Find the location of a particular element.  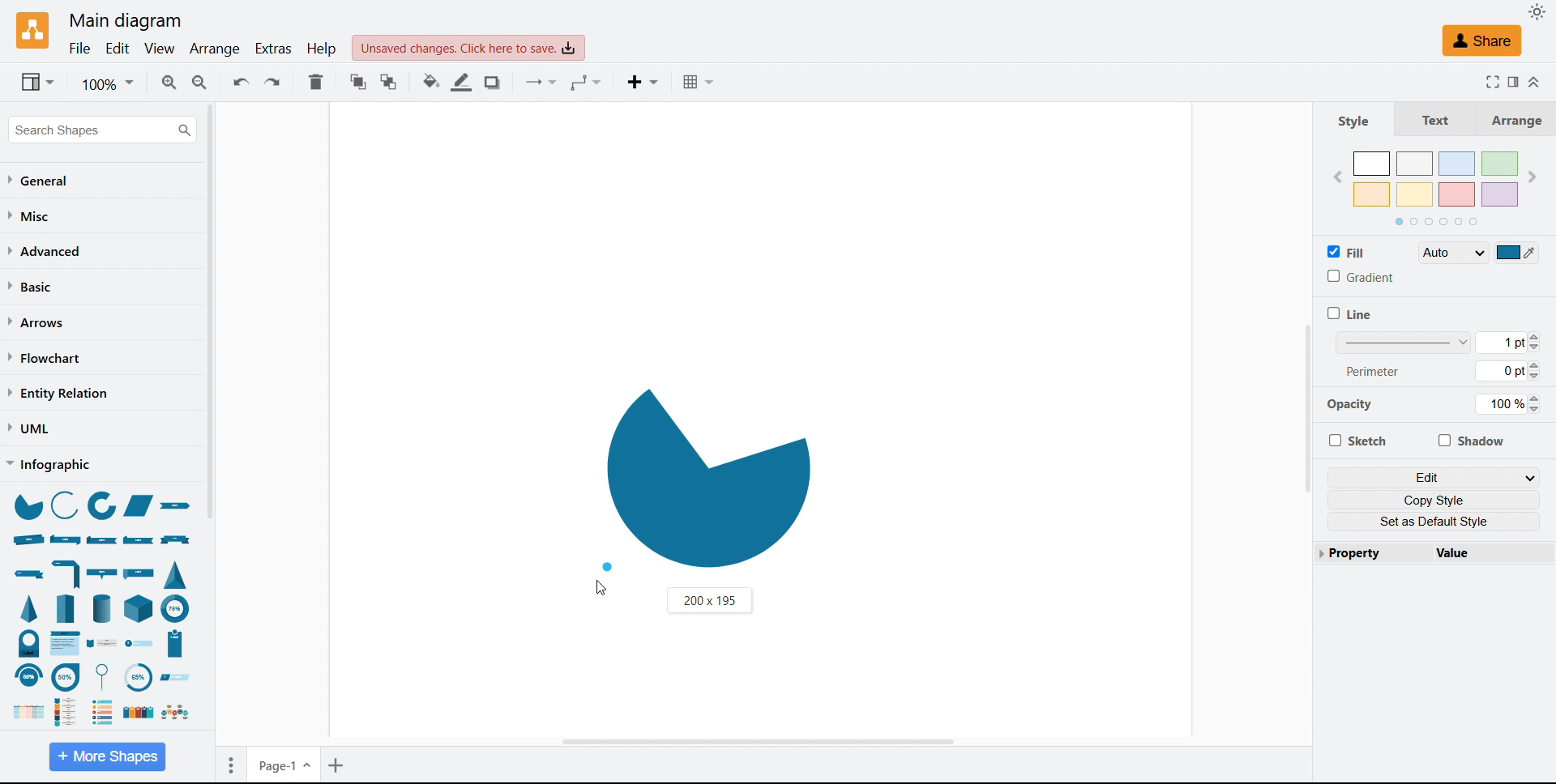

circular dial is located at coordinates (29, 643).